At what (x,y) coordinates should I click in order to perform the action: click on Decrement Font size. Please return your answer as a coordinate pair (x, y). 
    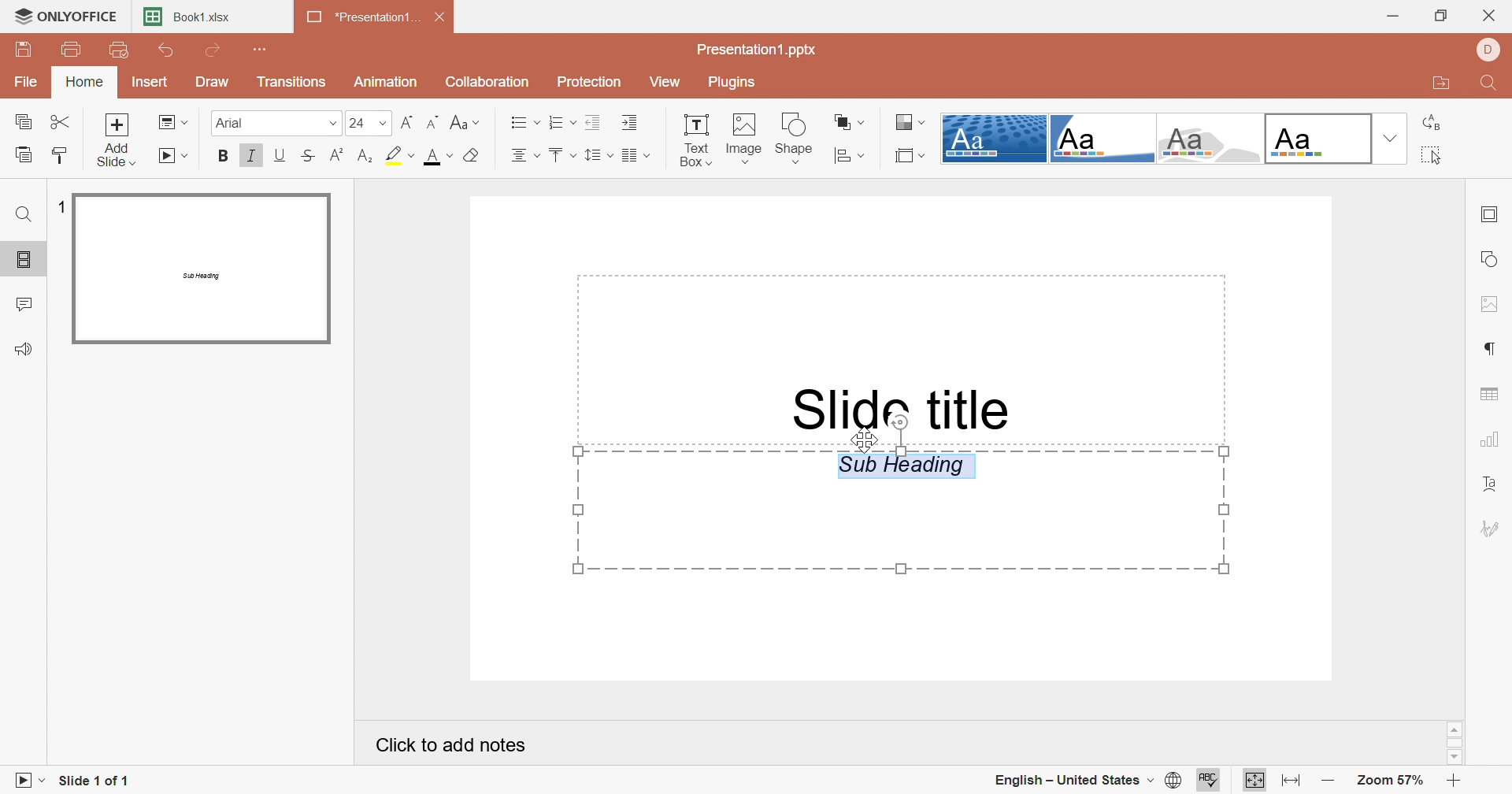
    Looking at the image, I should click on (406, 121).